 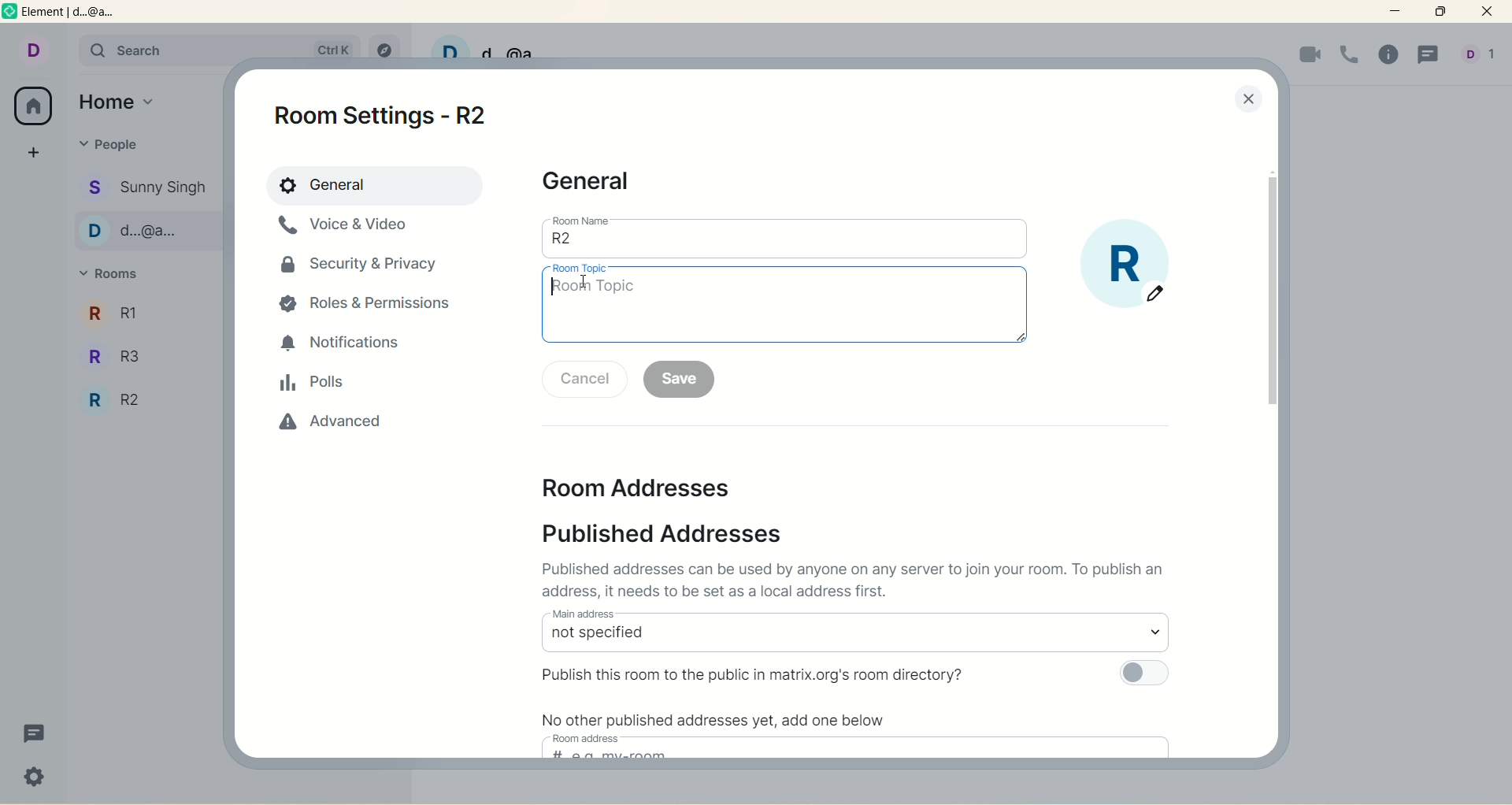 What do you see at coordinates (323, 429) in the screenshot?
I see `advanced` at bounding box center [323, 429].